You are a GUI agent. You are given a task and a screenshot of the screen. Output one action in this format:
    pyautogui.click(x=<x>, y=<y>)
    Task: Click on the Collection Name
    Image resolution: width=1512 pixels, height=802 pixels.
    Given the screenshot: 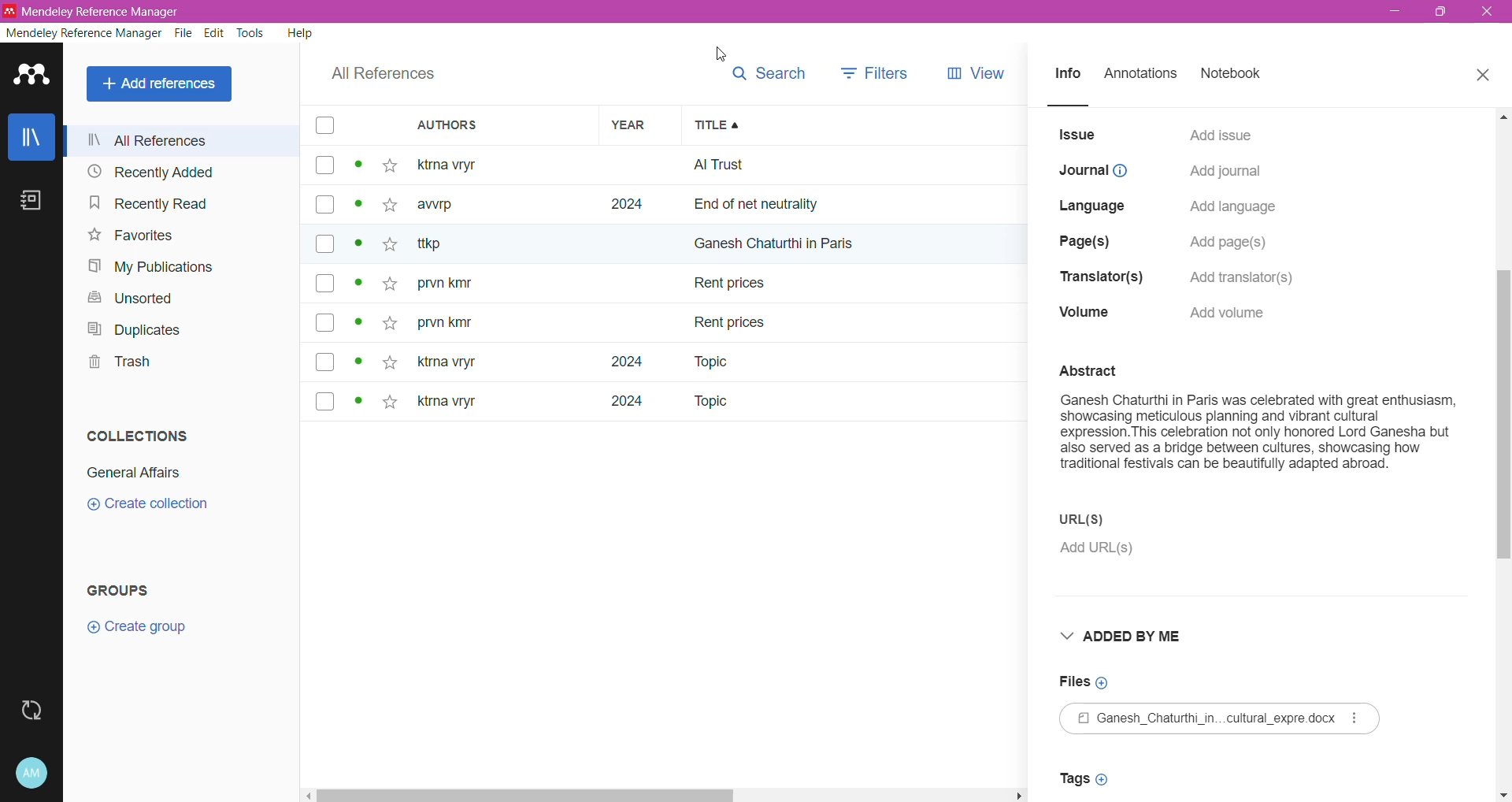 What is the action you would take?
    pyautogui.click(x=137, y=470)
    